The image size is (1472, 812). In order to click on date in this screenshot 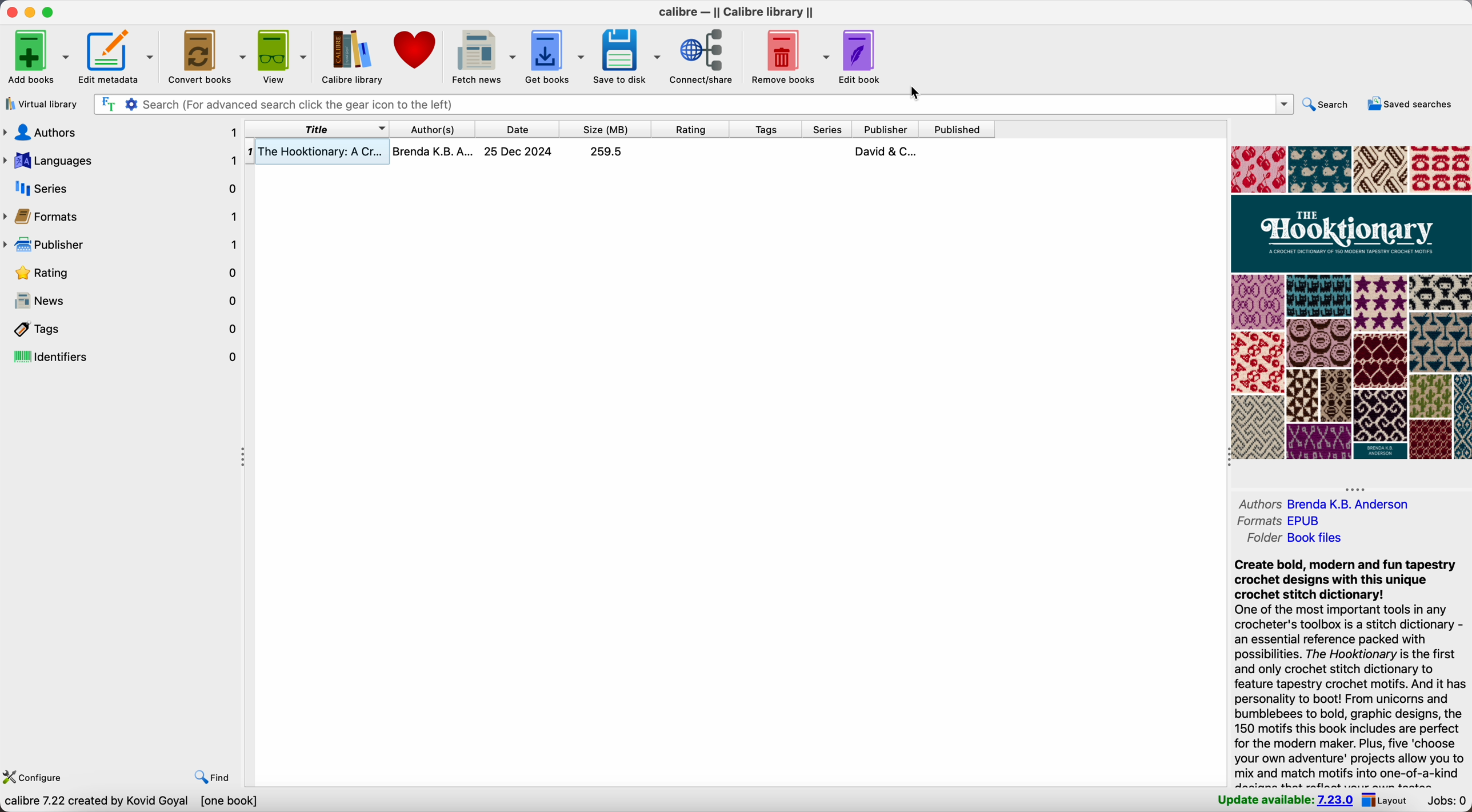, I will do `click(516, 129)`.